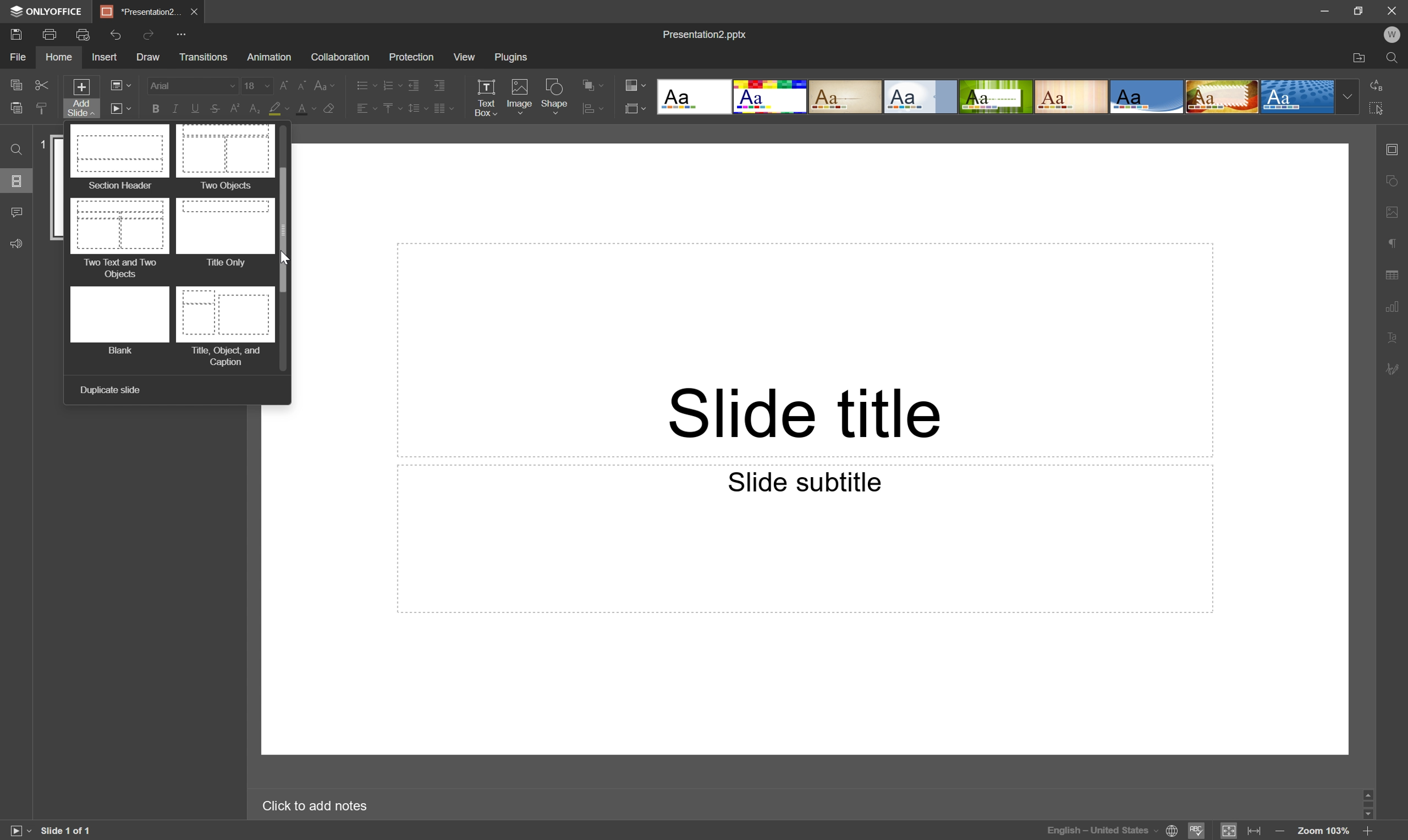  Describe the element at coordinates (1230, 830) in the screenshot. I see `Fit to slide` at that location.